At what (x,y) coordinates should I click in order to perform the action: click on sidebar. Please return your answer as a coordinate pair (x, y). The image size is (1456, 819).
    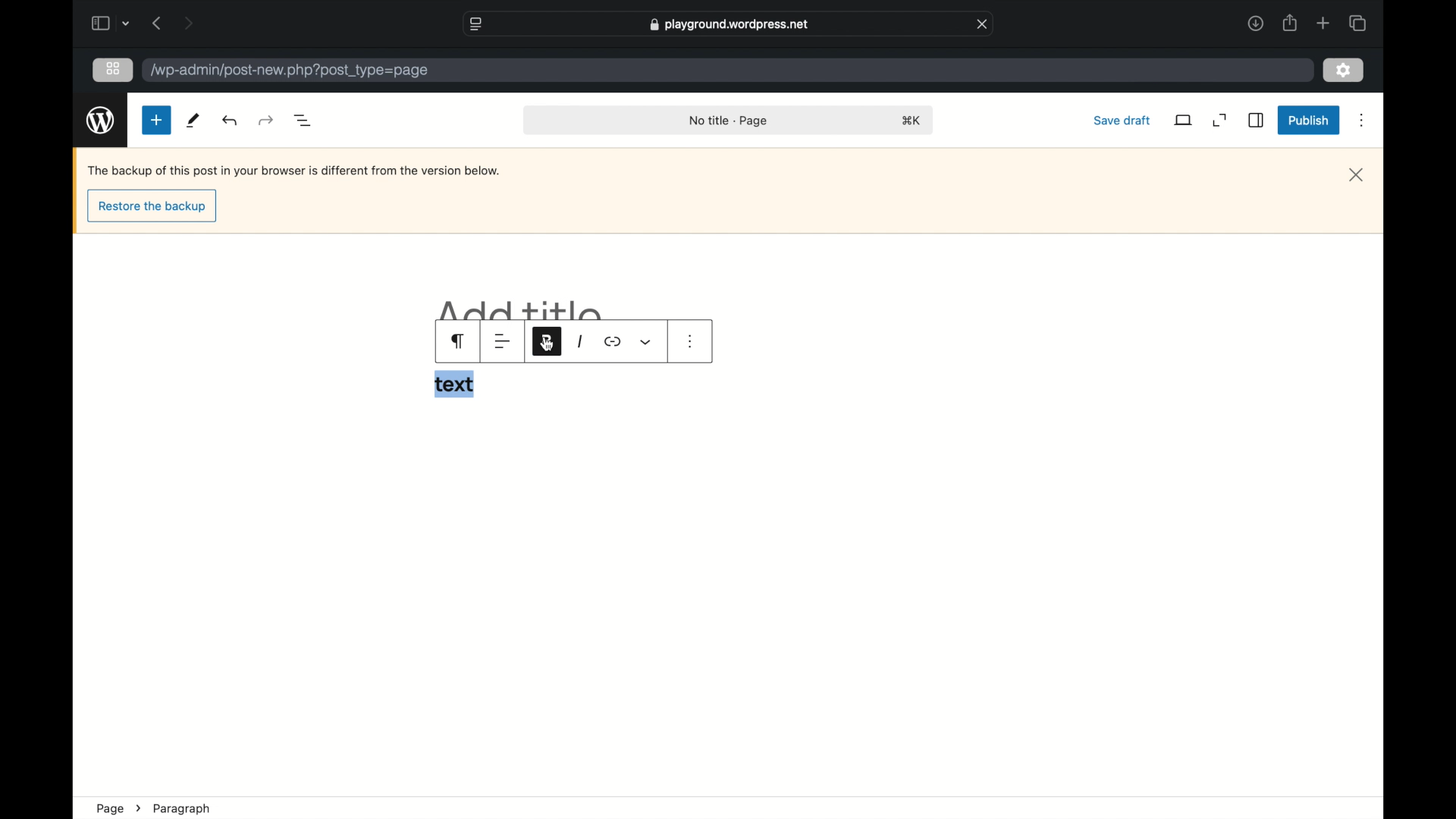
    Looking at the image, I should click on (99, 23).